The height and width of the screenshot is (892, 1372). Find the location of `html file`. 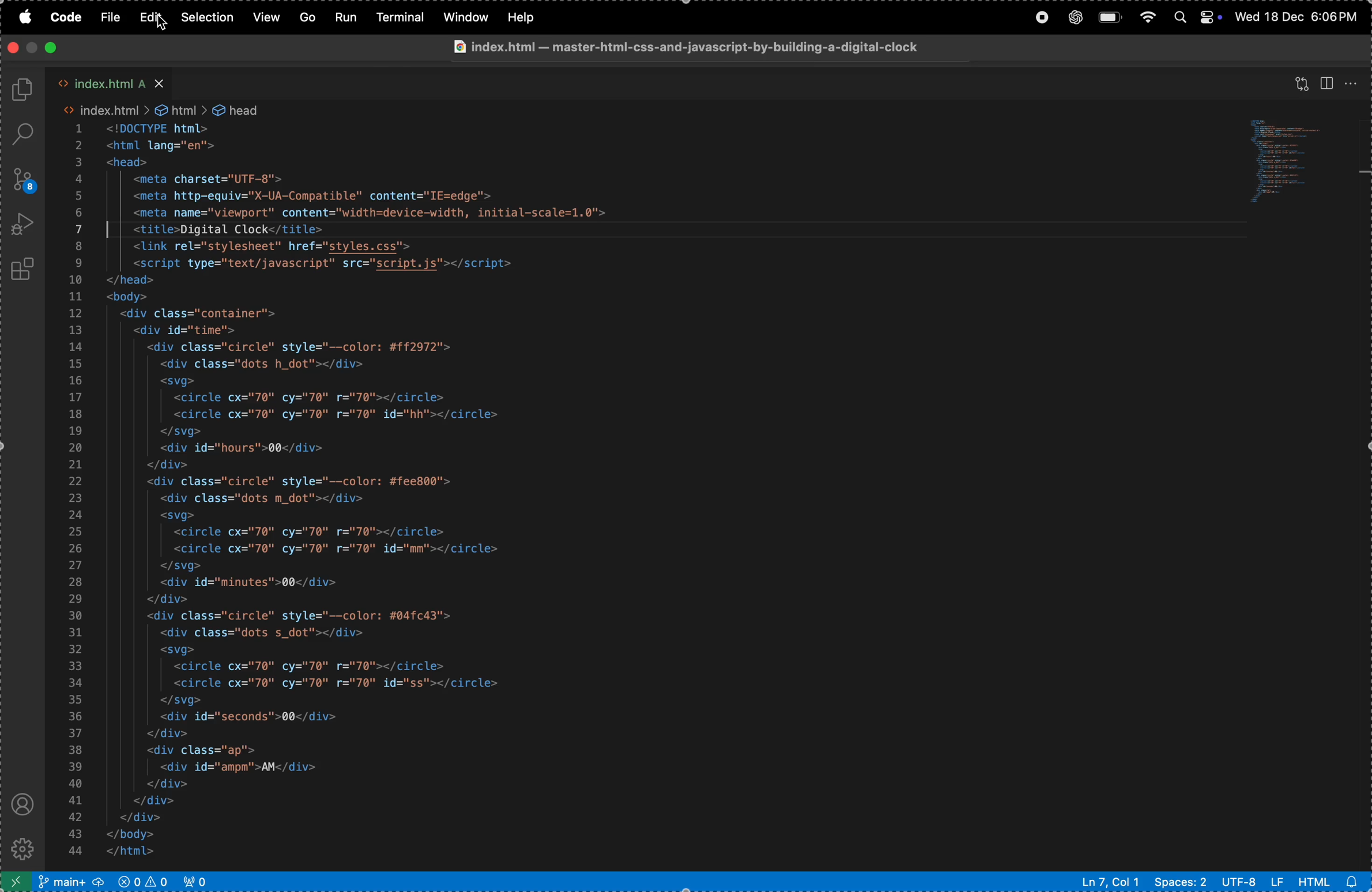

html file is located at coordinates (1331, 880).